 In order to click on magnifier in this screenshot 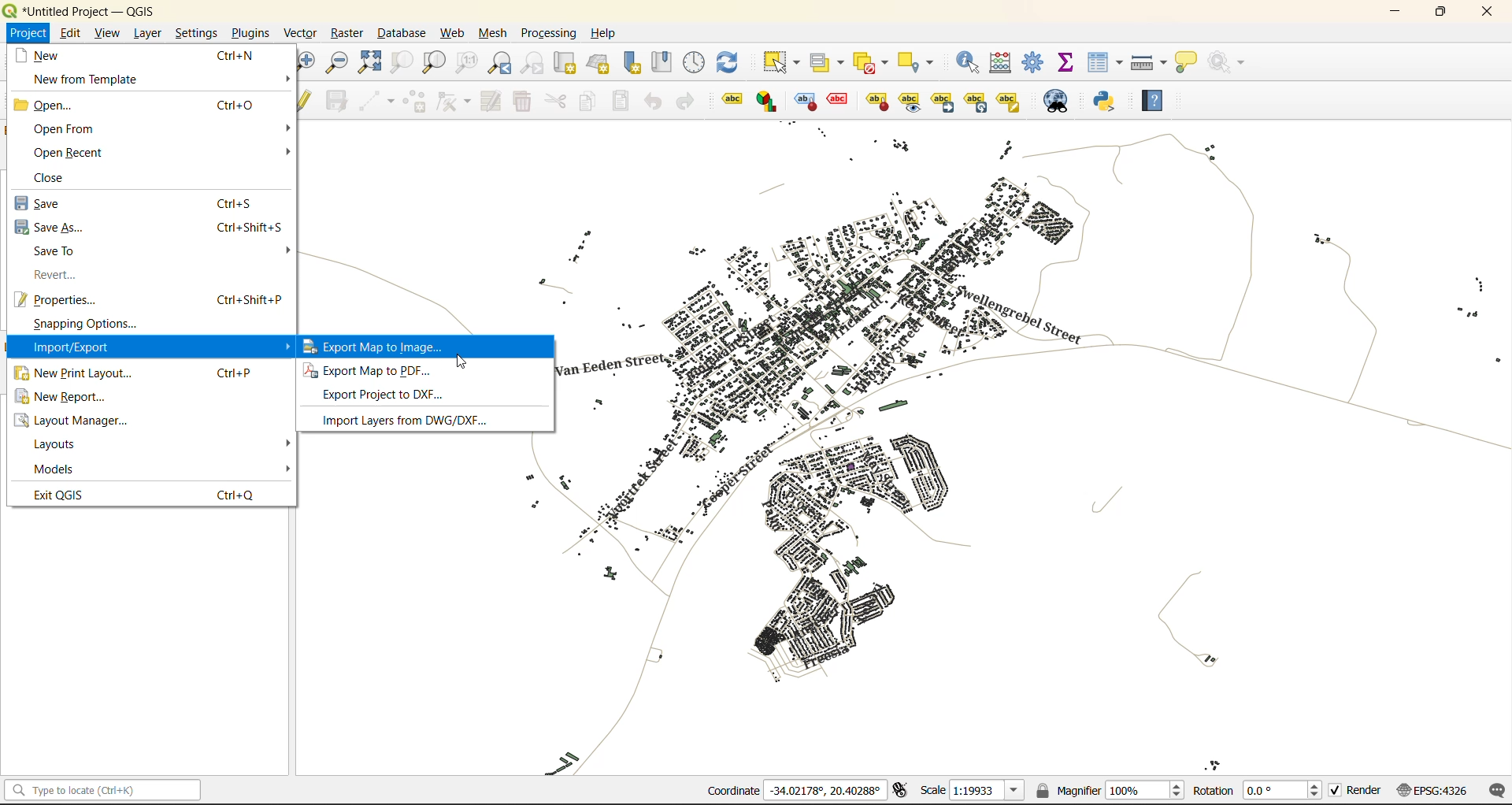, I will do `click(1110, 788)`.